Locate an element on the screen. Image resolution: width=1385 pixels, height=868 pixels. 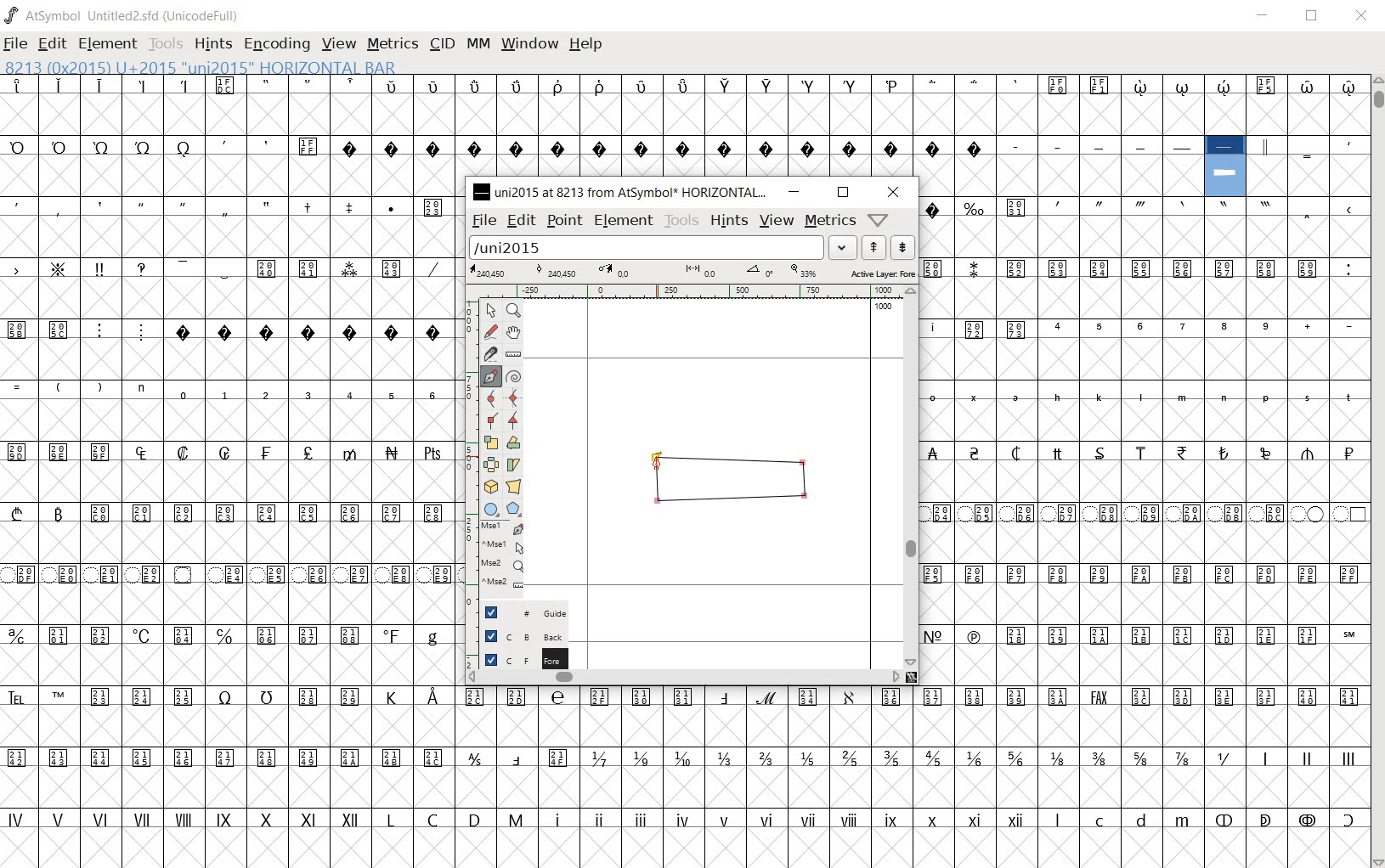
Add a corner point is located at coordinates (512, 420).